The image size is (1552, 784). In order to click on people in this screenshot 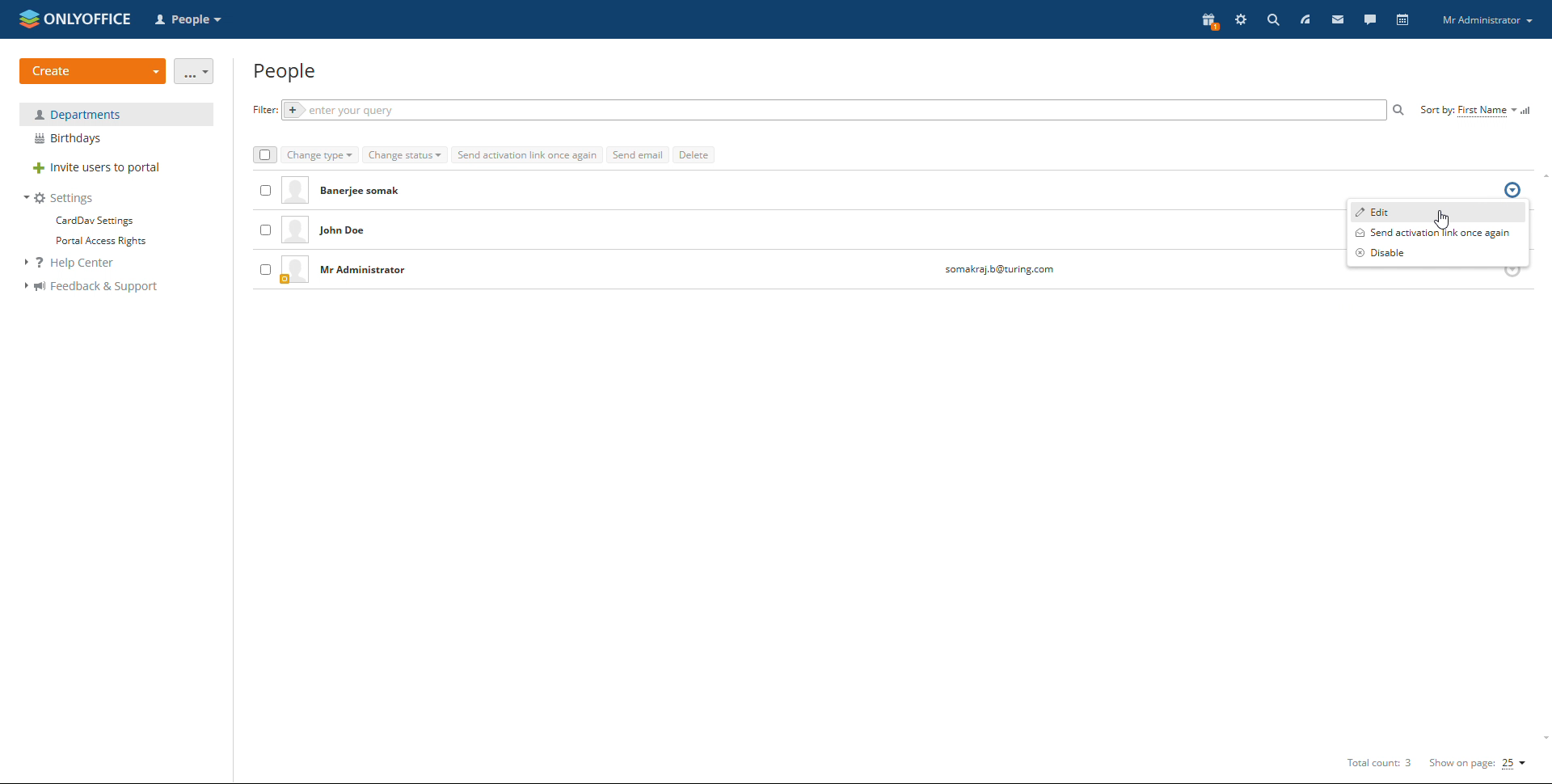, I will do `click(286, 72)`.